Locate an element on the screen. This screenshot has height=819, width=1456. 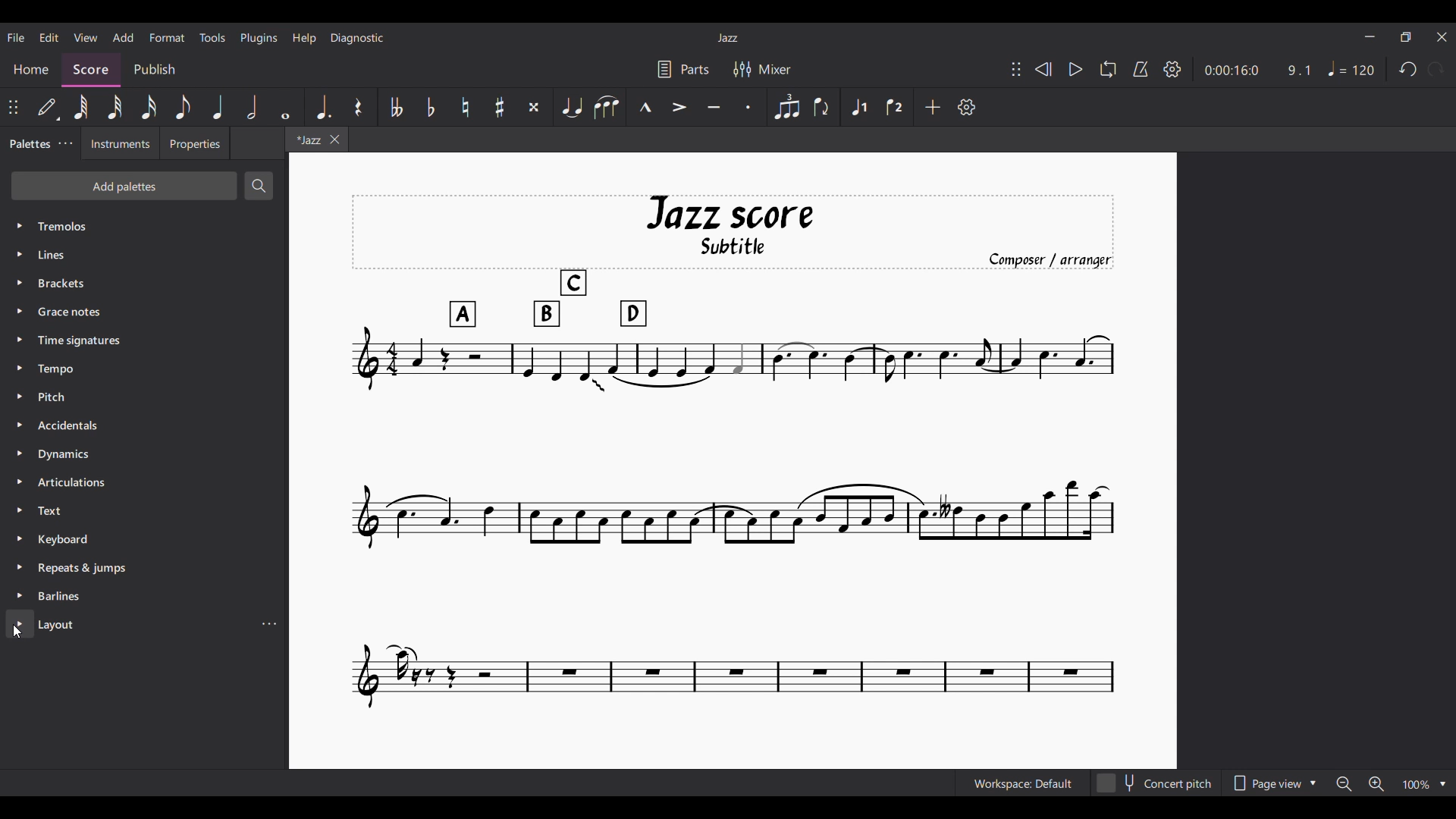
Add palettes is located at coordinates (124, 186).